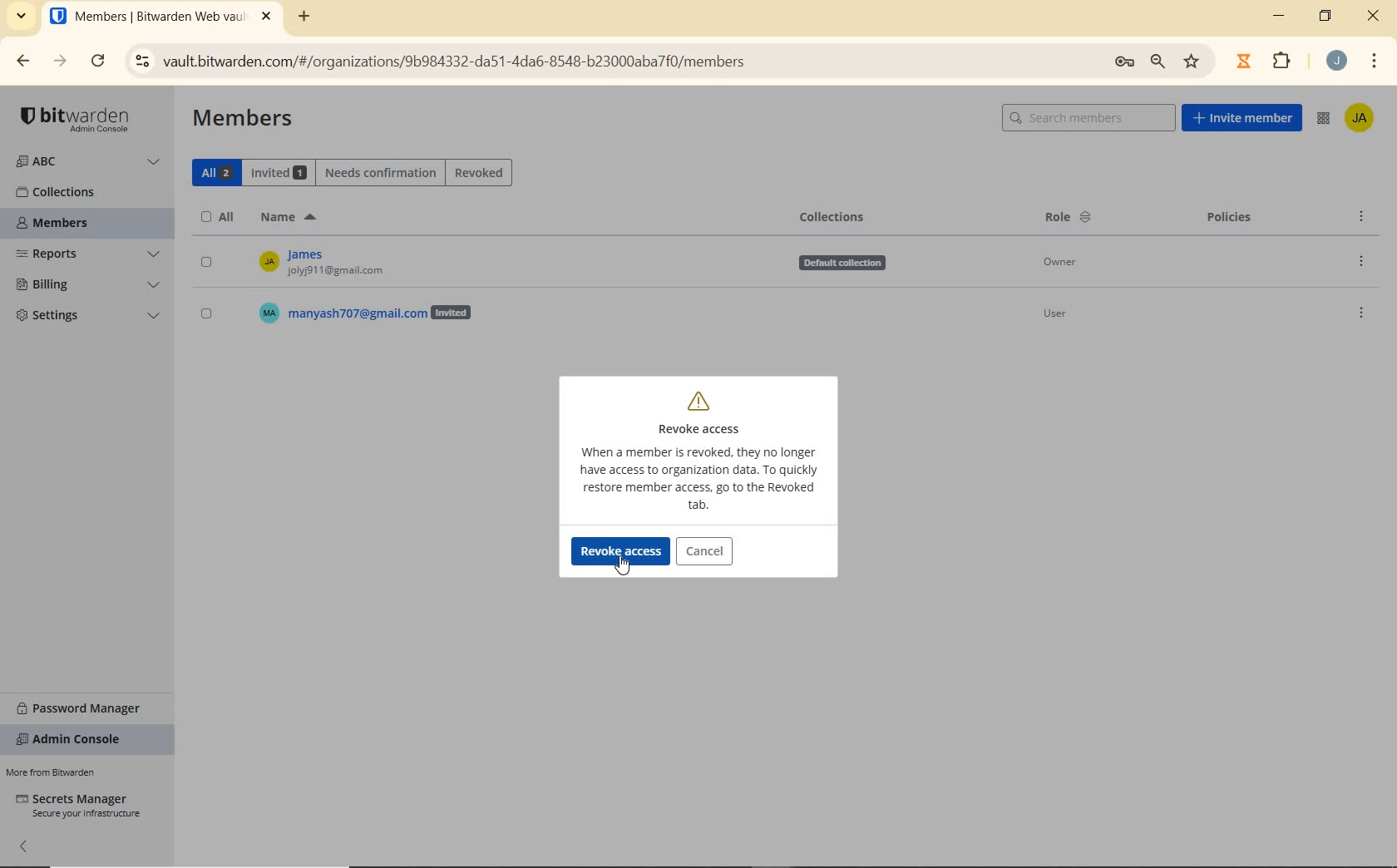 The image size is (1397, 868). What do you see at coordinates (243, 120) in the screenshot?
I see `MEMBERS` at bounding box center [243, 120].